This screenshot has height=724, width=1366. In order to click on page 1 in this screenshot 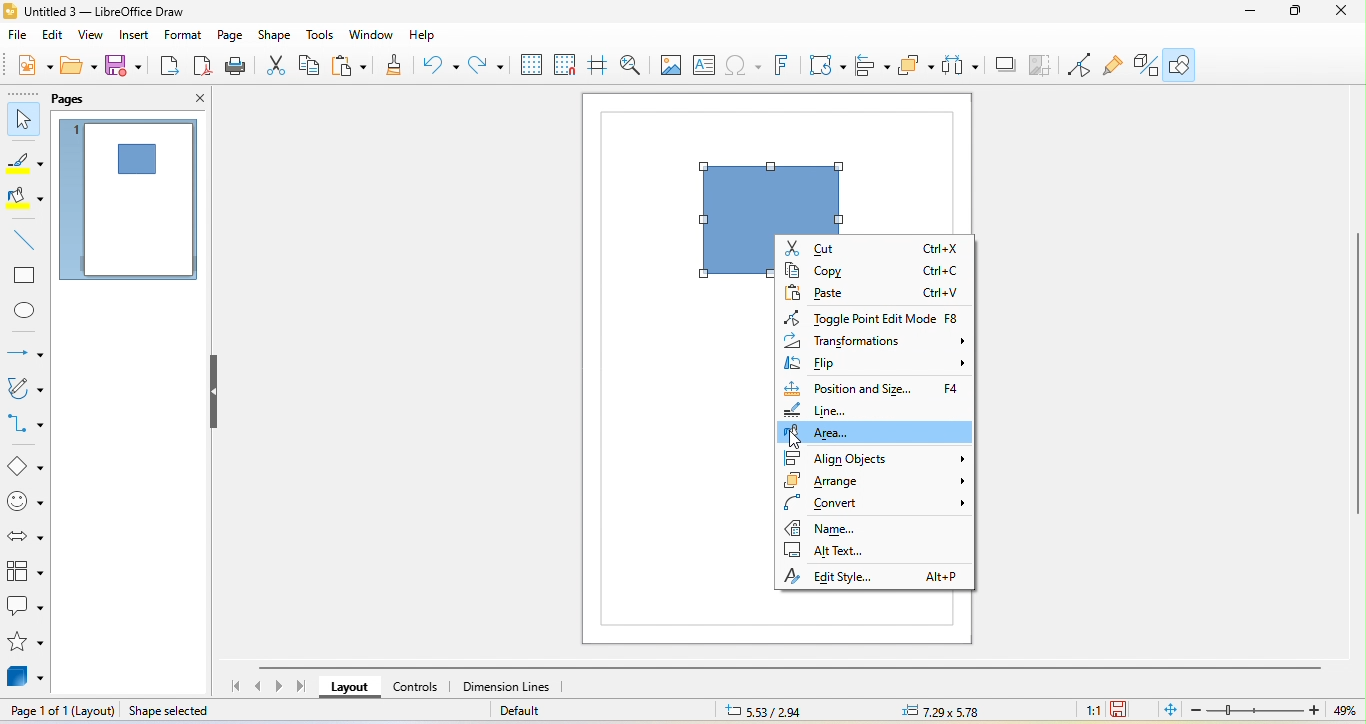, I will do `click(132, 202)`.